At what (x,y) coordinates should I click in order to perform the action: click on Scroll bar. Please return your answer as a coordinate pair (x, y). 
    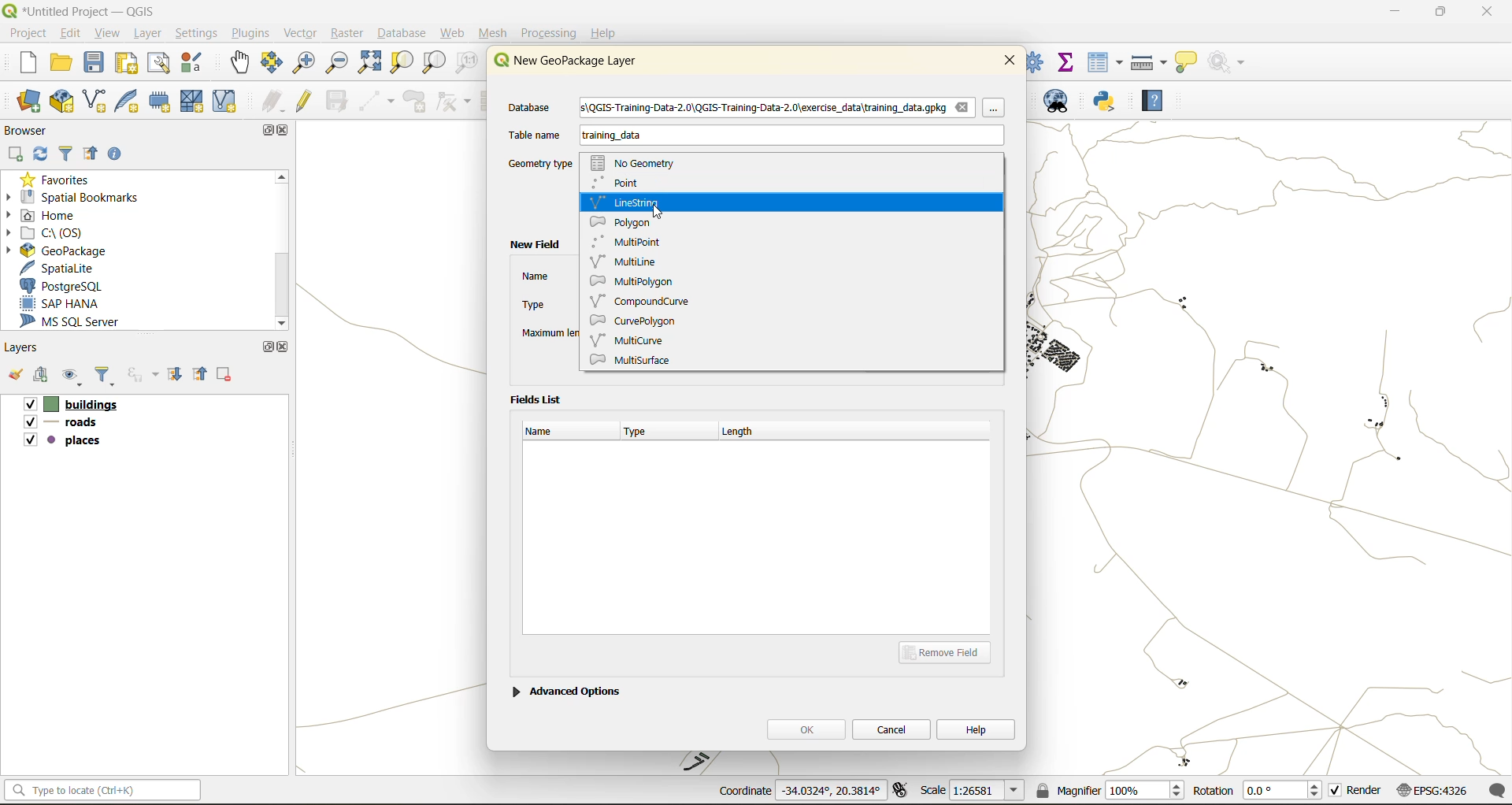
    Looking at the image, I should click on (280, 250).